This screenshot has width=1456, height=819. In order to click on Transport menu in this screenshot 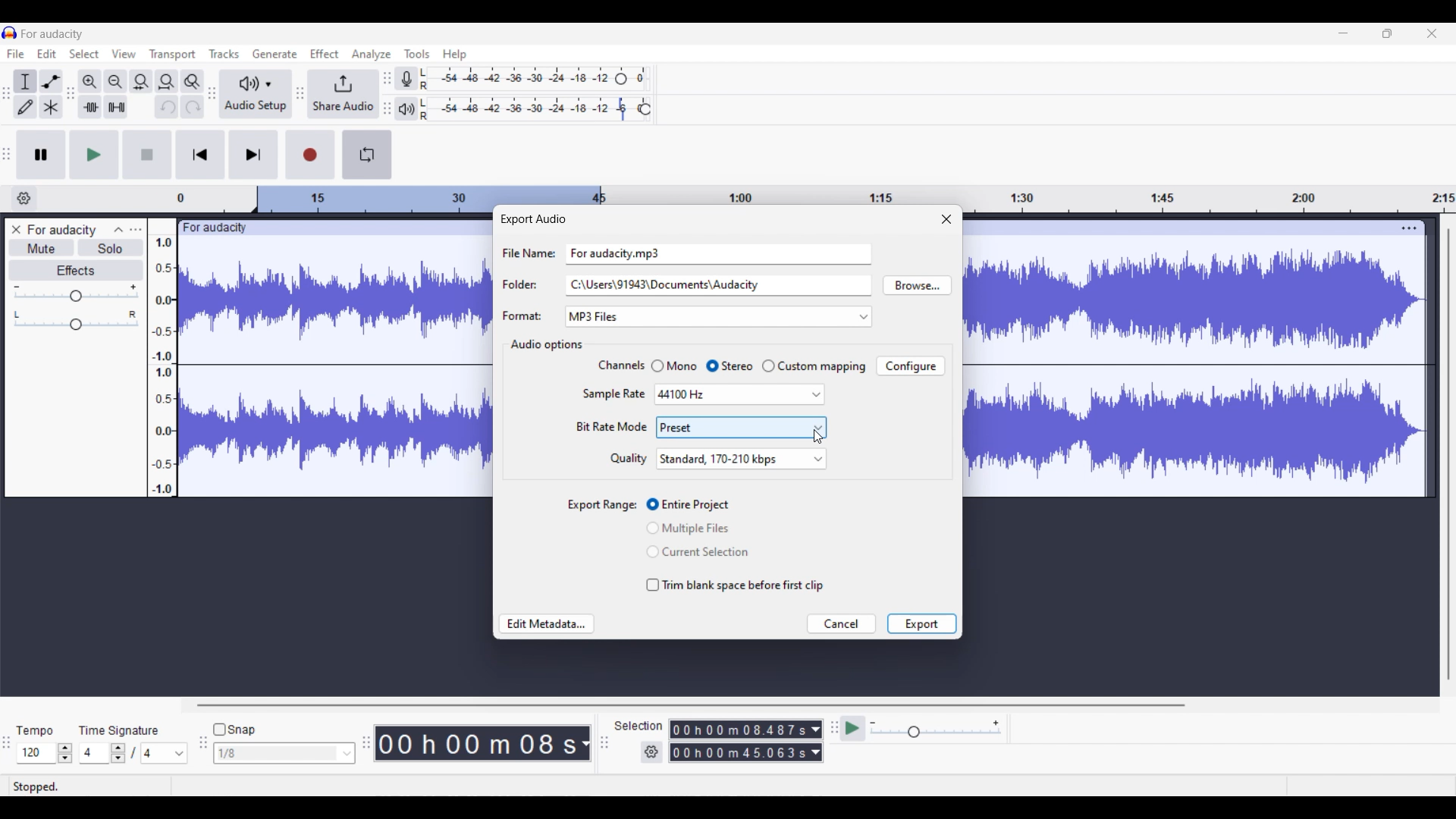, I will do `click(173, 55)`.